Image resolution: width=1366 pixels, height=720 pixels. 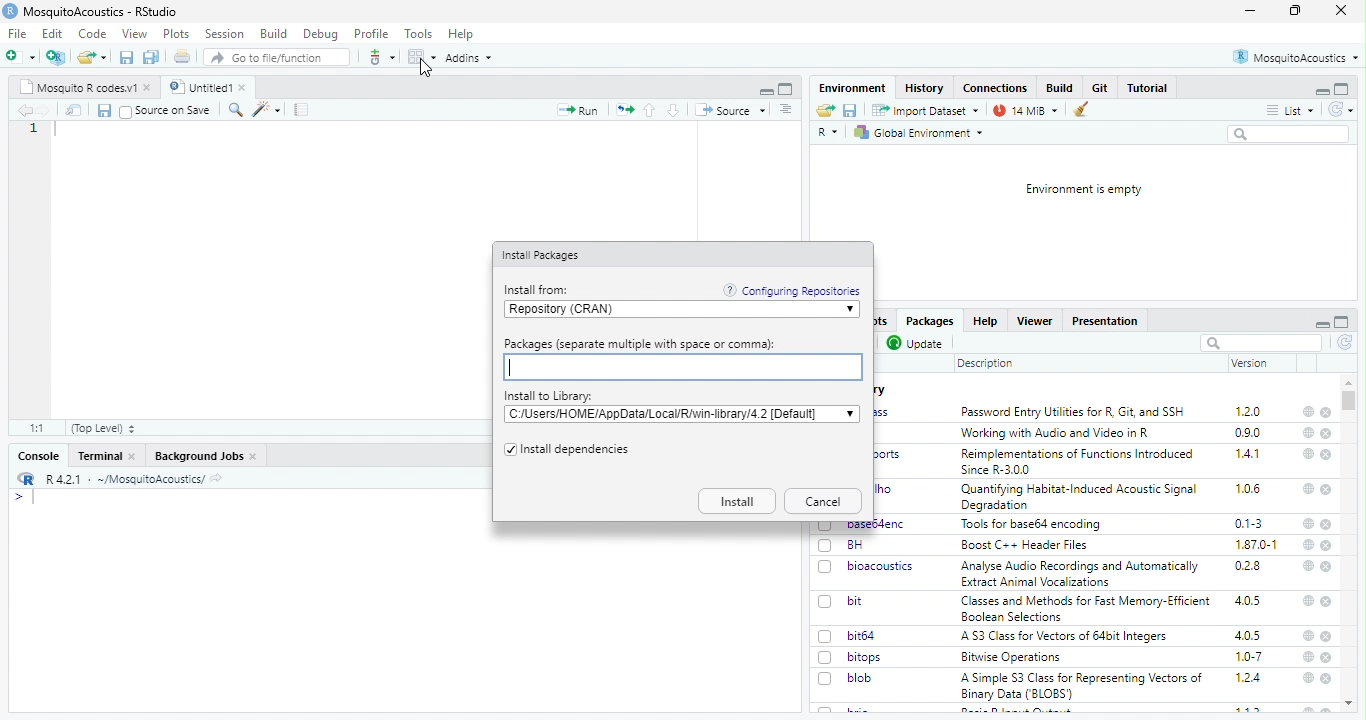 I want to click on close, so click(x=245, y=87).